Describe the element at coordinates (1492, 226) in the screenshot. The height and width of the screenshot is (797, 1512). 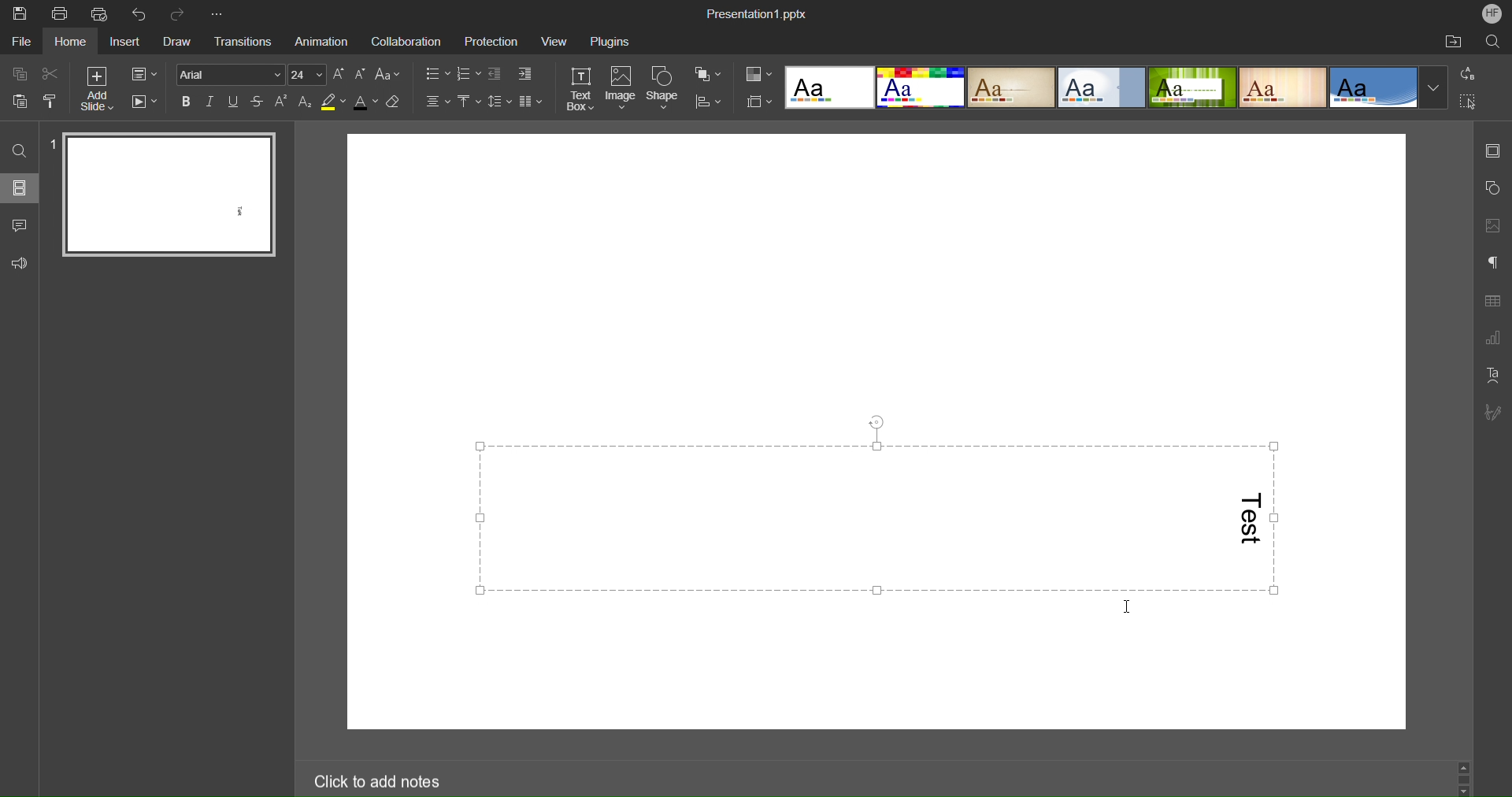
I see `Image Settings` at that location.